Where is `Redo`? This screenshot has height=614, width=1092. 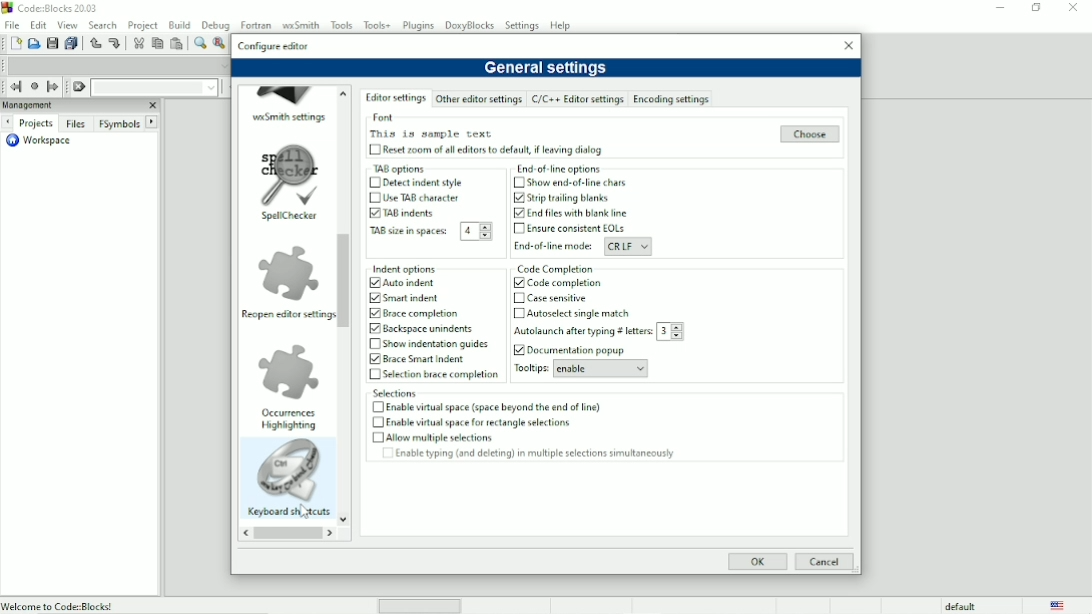 Redo is located at coordinates (117, 44).